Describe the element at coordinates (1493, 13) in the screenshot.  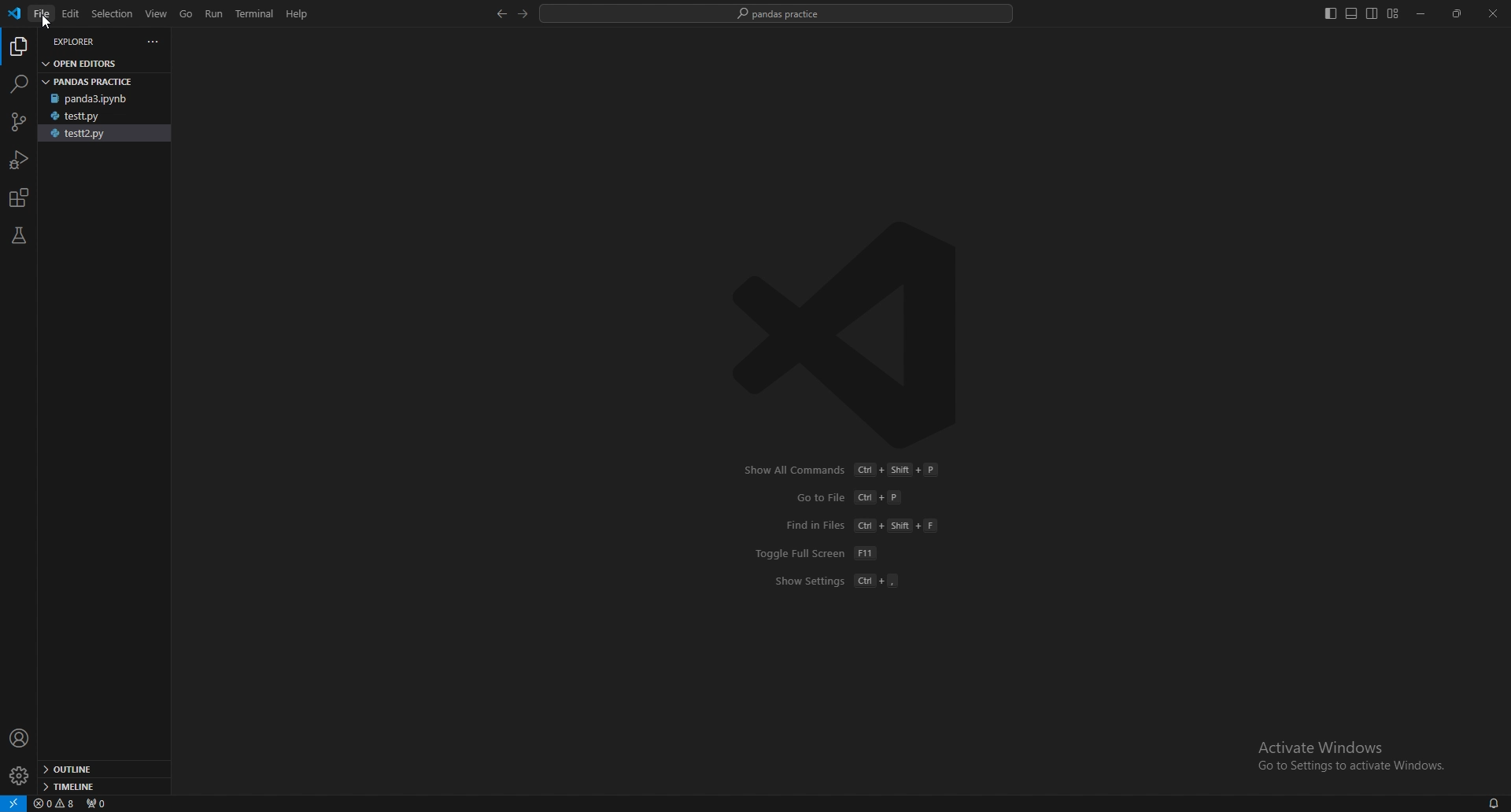
I see `close` at that location.